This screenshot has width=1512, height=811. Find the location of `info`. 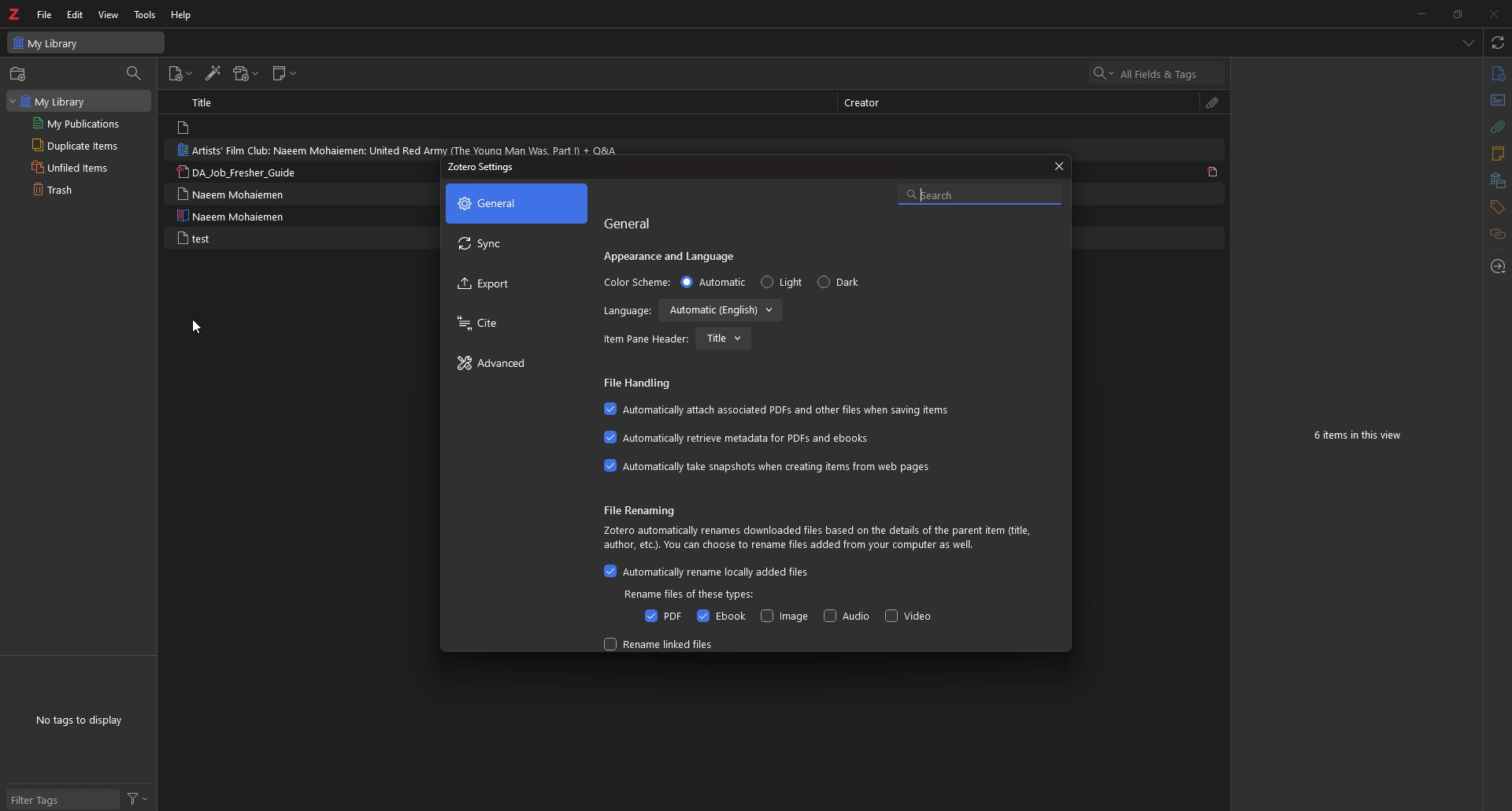

info is located at coordinates (1497, 74).